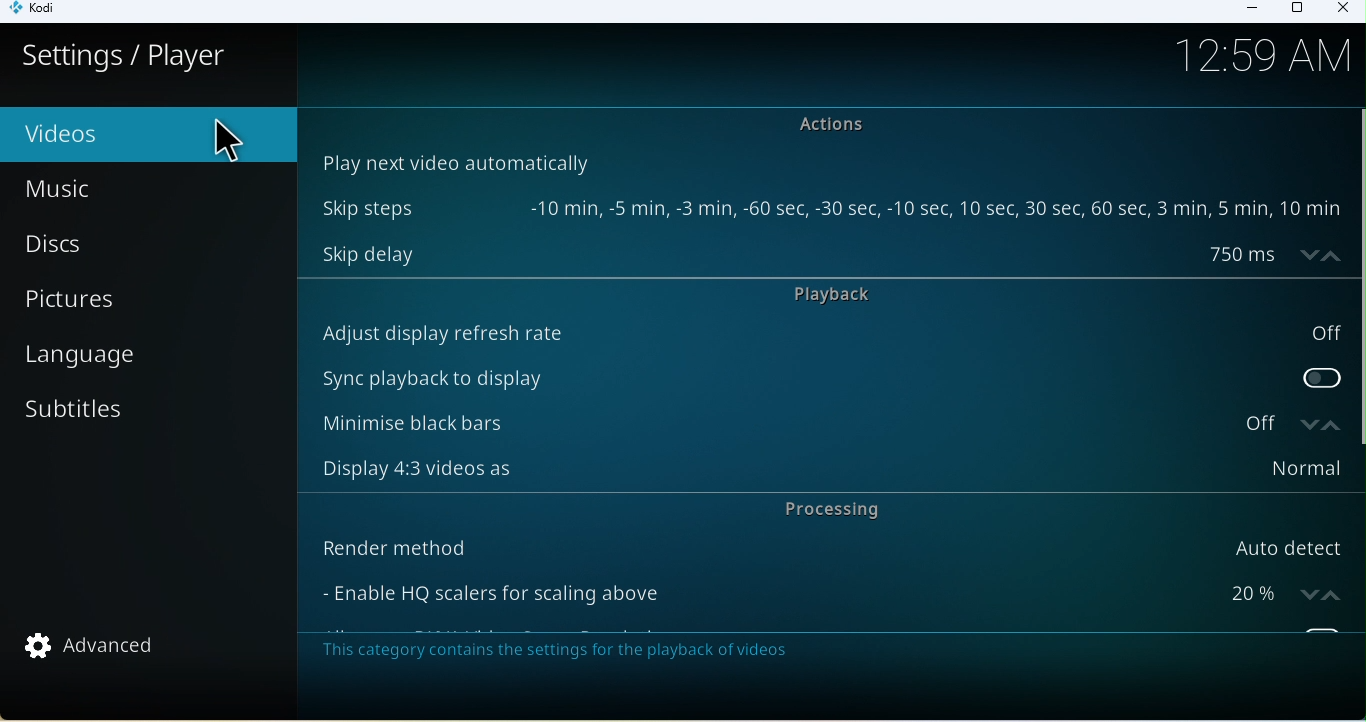 The height and width of the screenshot is (722, 1366). What do you see at coordinates (822, 544) in the screenshot?
I see `Render method` at bounding box center [822, 544].